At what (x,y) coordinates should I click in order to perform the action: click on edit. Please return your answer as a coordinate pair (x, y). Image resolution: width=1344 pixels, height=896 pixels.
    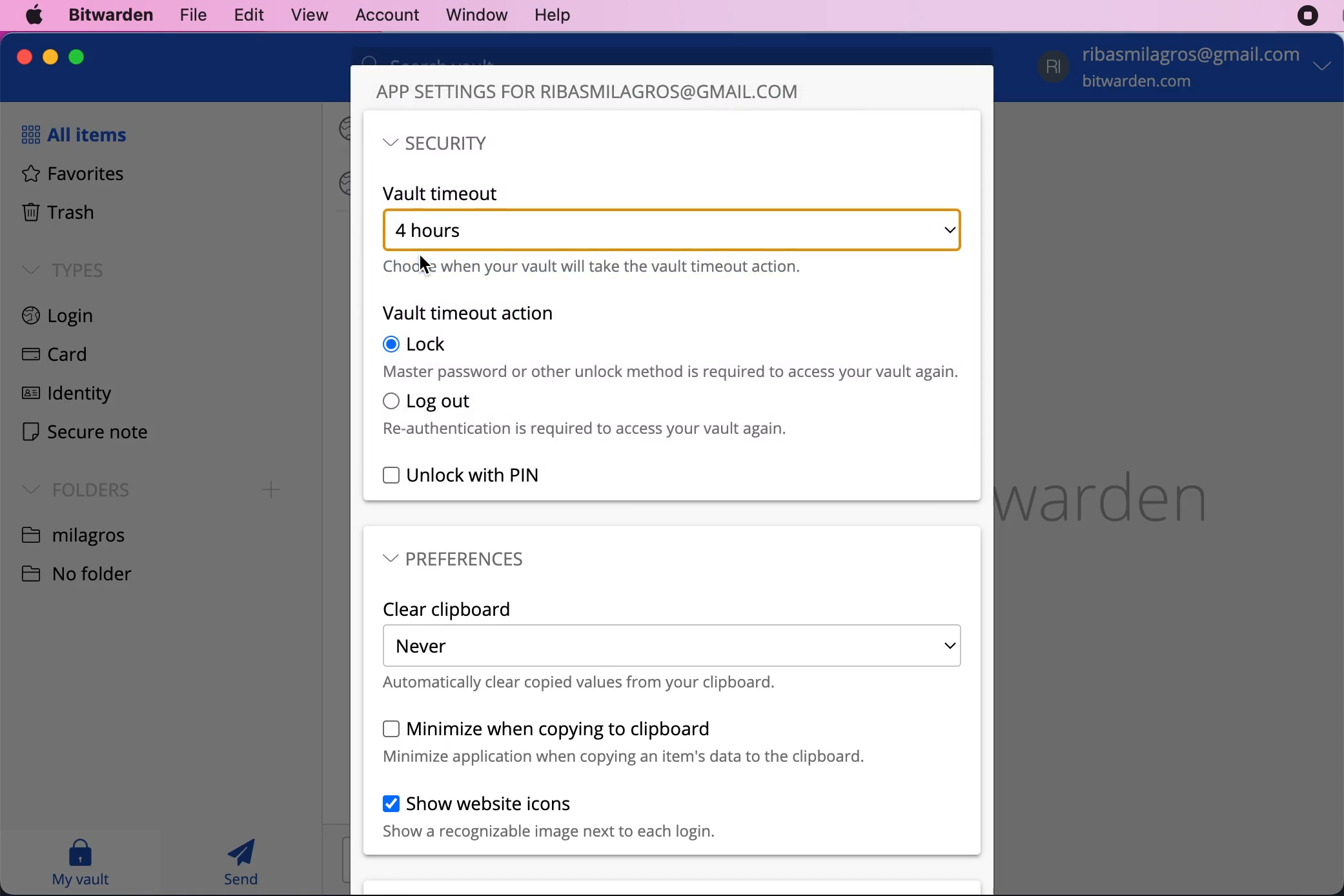
    Looking at the image, I should click on (245, 14).